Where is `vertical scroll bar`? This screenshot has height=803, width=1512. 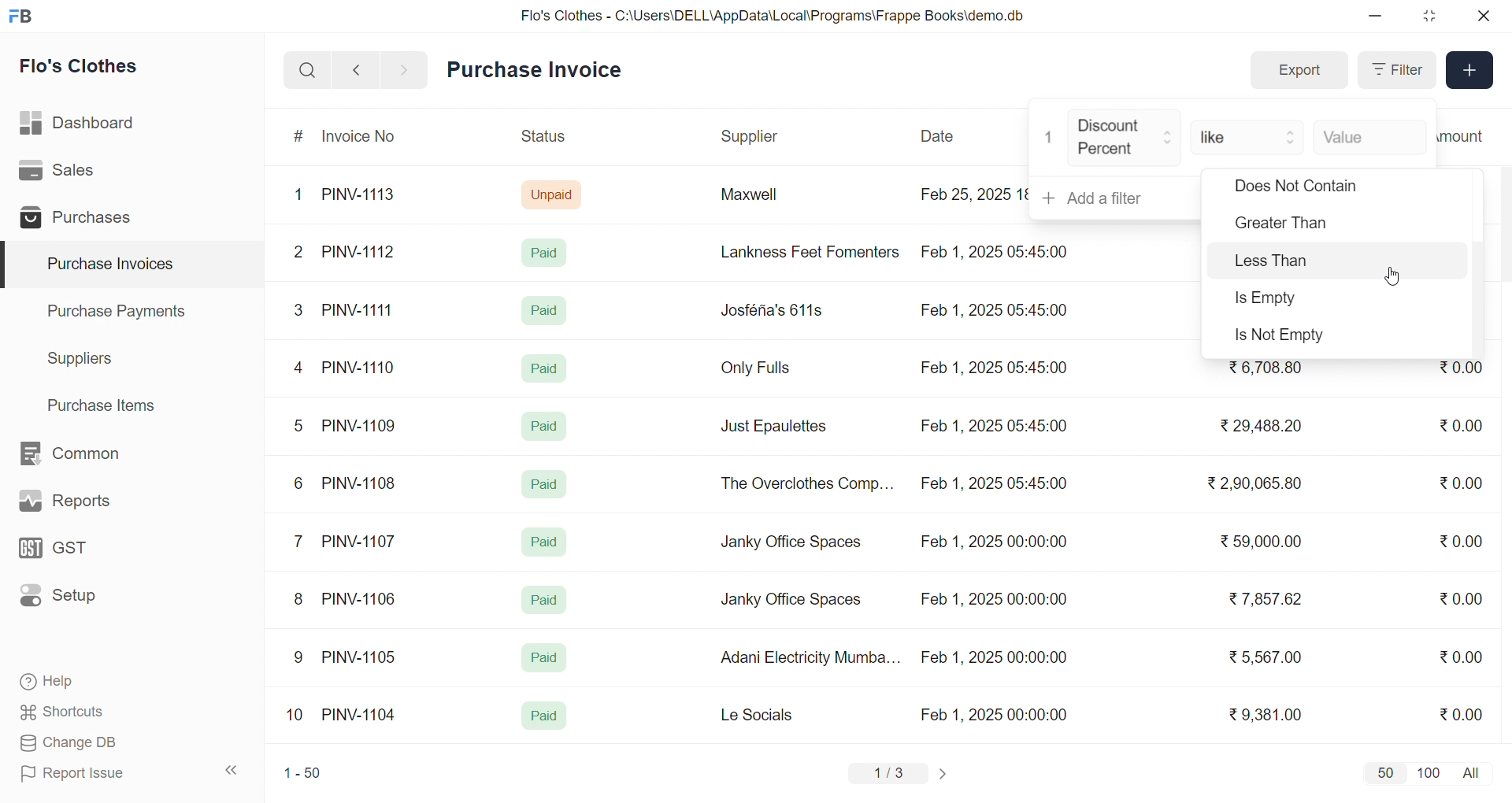 vertical scroll bar is located at coordinates (1479, 298).